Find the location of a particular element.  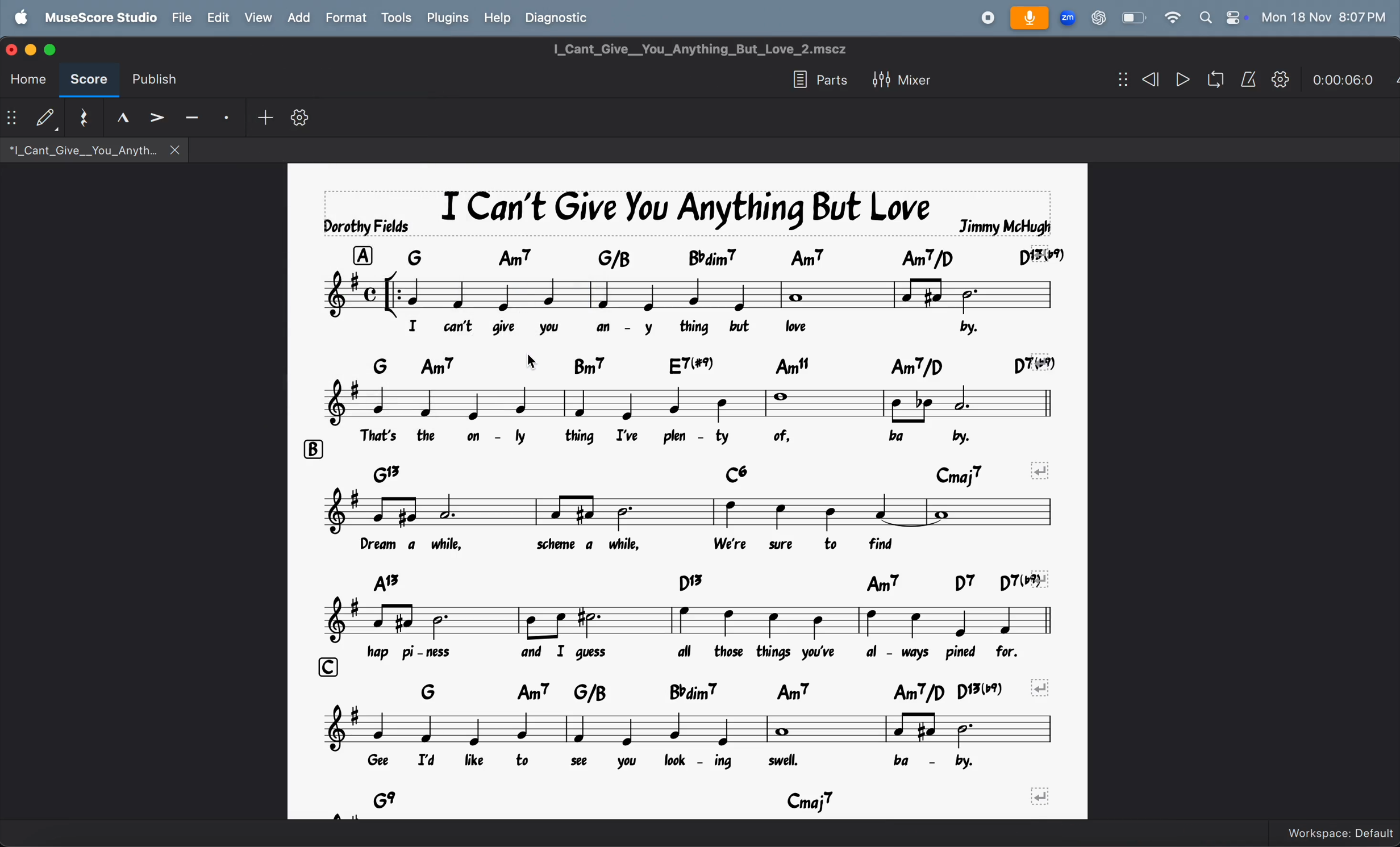

edit is located at coordinates (218, 16).